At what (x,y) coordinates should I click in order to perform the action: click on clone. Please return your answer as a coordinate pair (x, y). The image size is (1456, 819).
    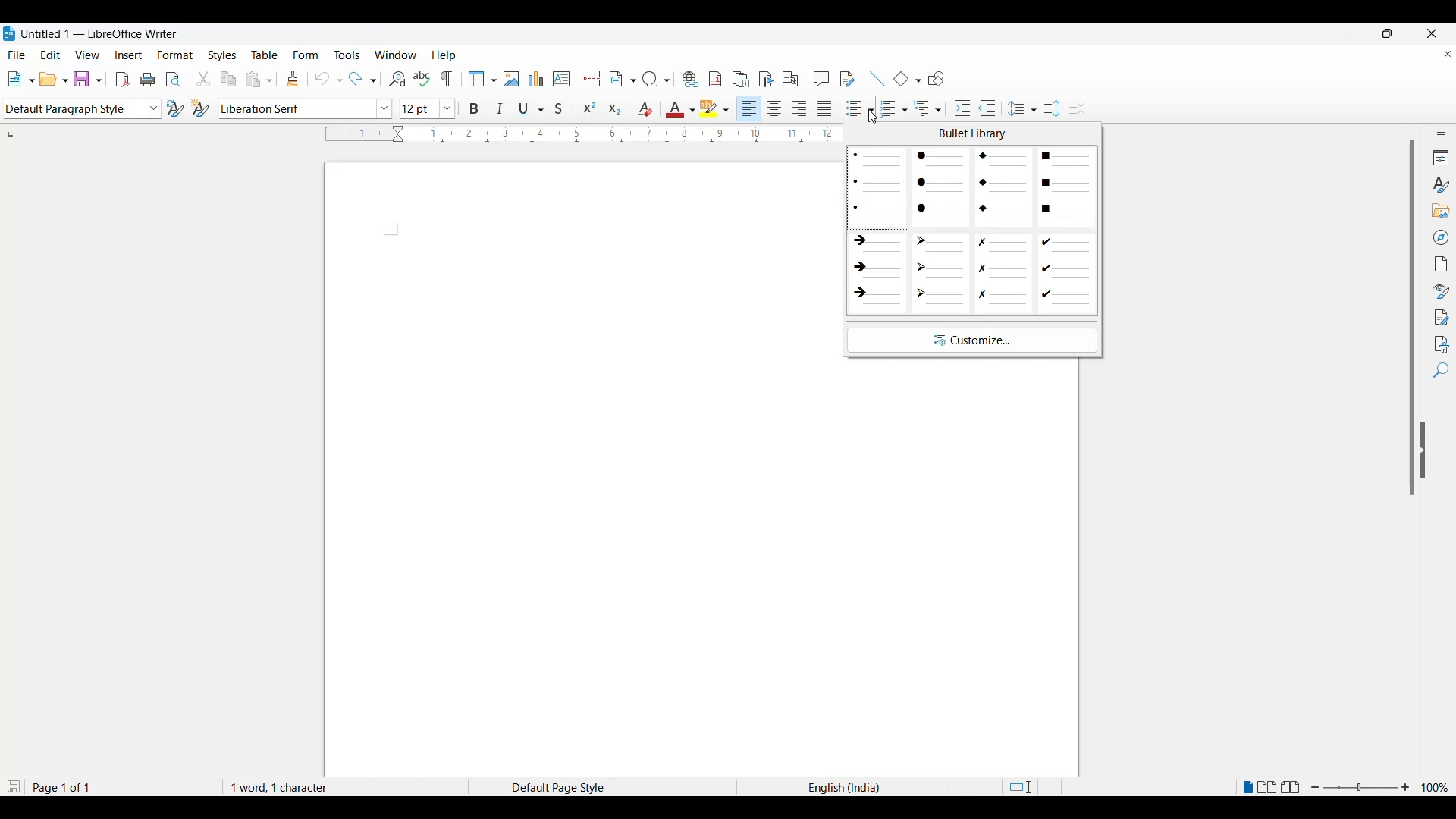
    Looking at the image, I should click on (294, 78).